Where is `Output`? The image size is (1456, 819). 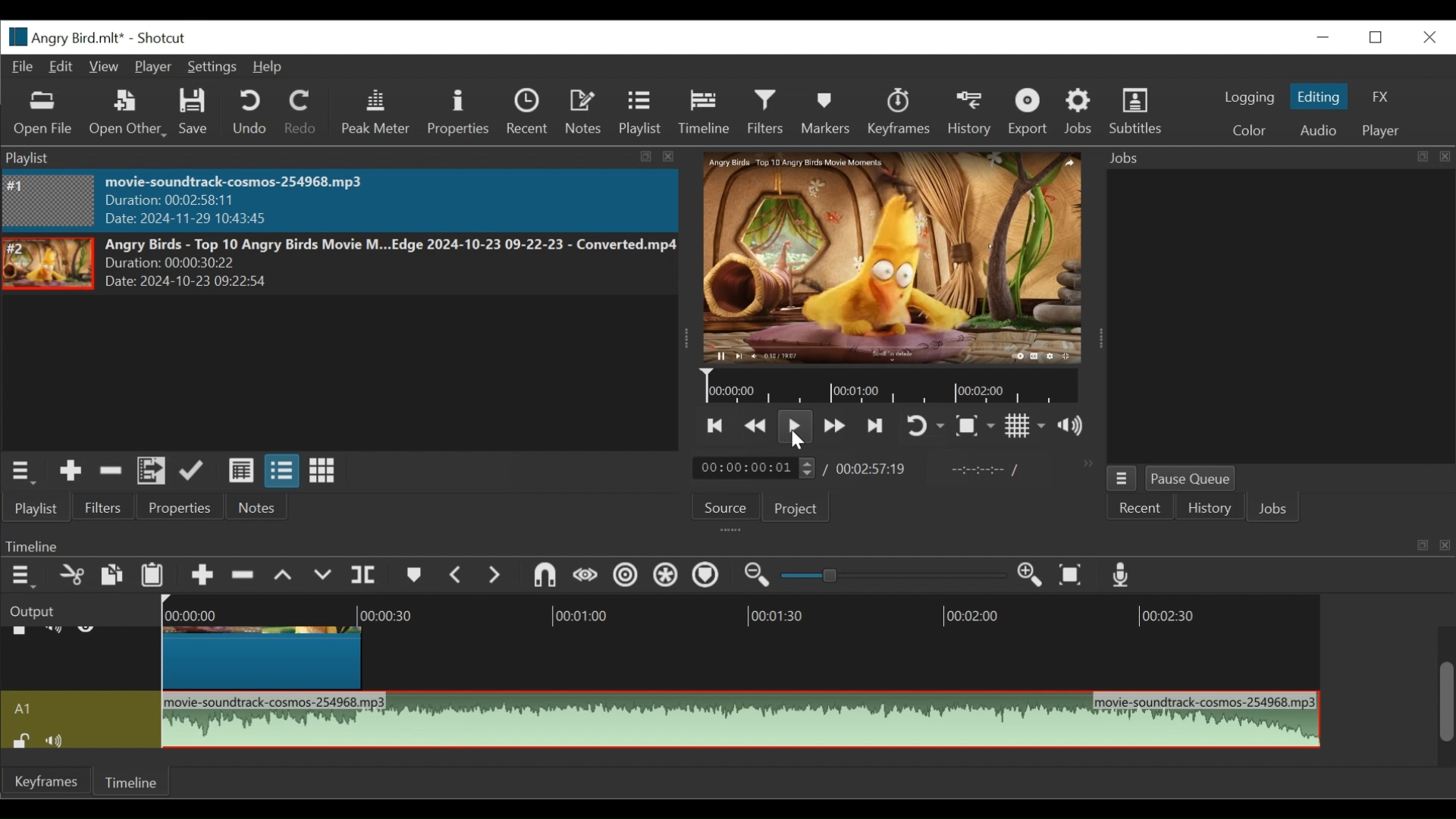 Output is located at coordinates (78, 610).